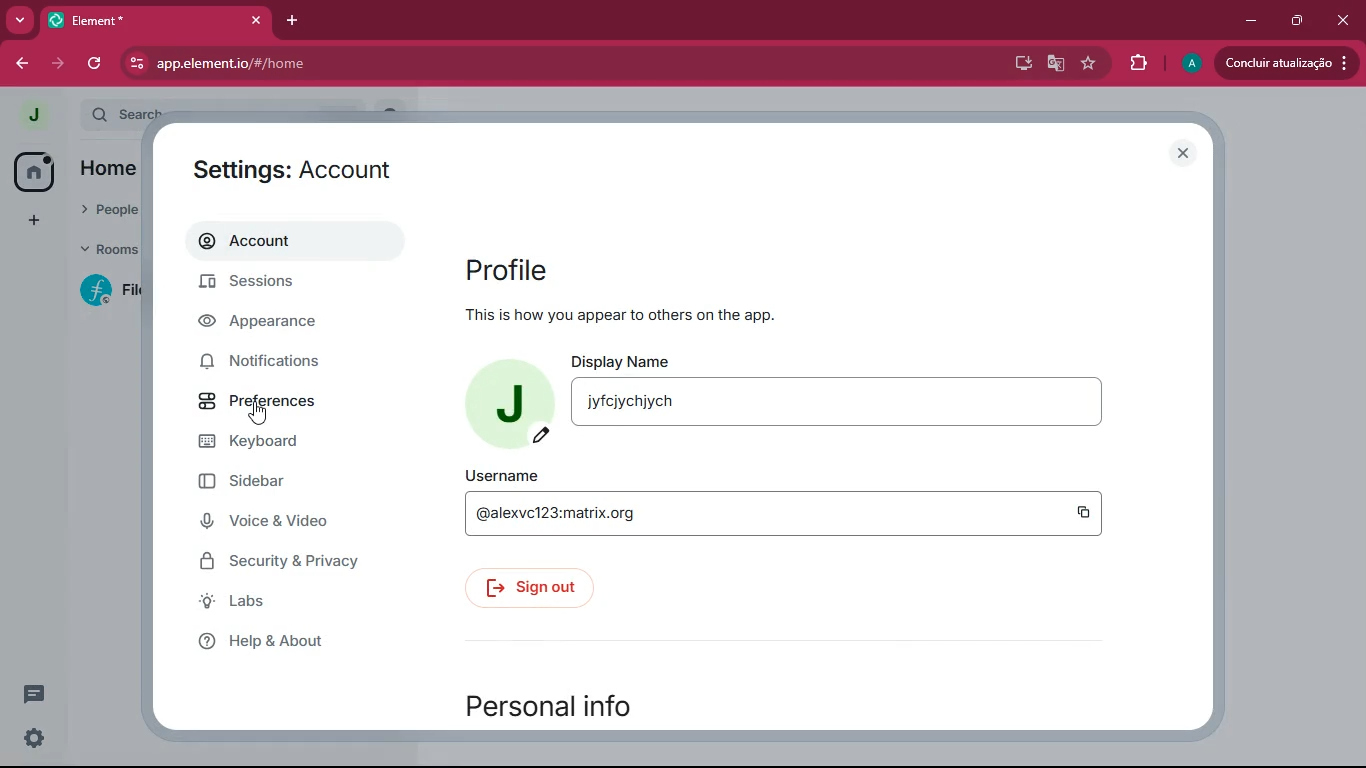  I want to click on favourite, so click(1089, 64).